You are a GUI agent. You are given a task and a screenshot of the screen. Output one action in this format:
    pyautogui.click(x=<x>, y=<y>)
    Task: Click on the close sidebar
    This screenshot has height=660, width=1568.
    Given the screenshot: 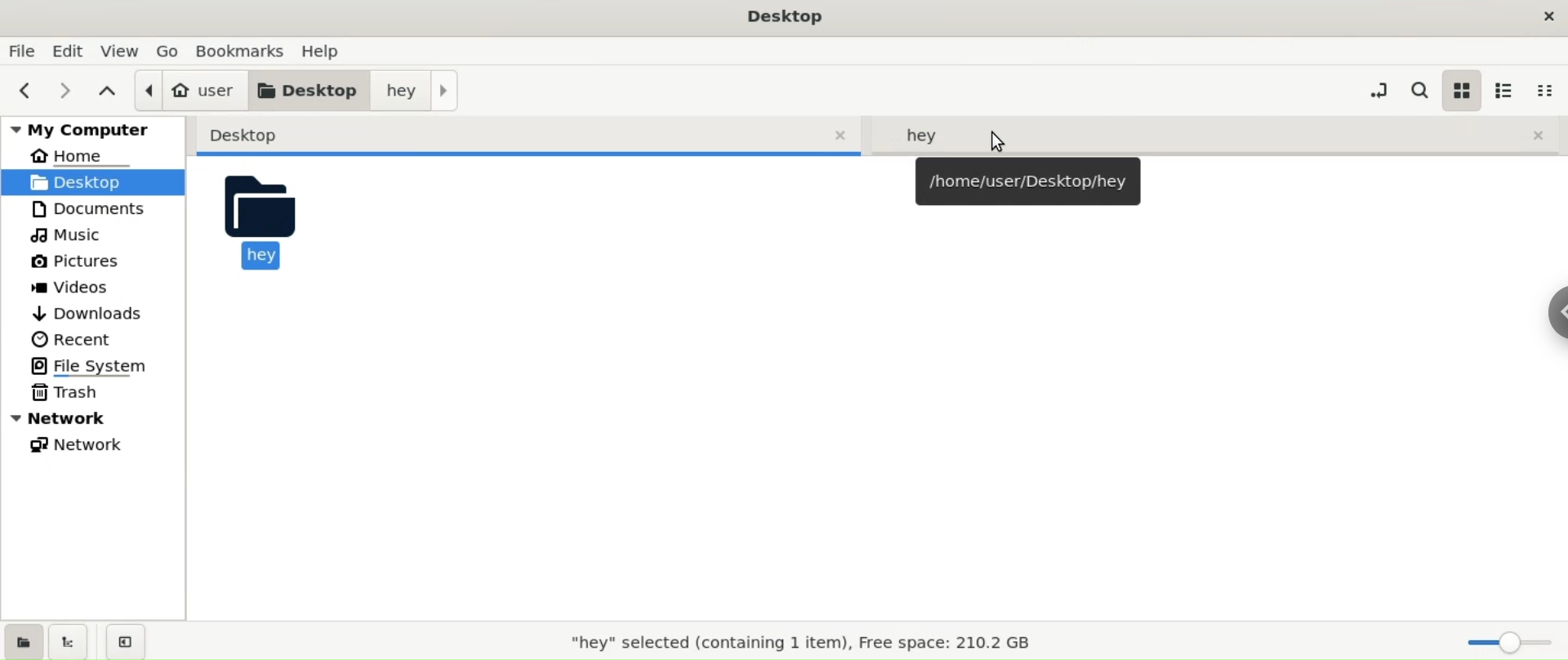 What is the action you would take?
    pyautogui.click(x=125, y=641)
    